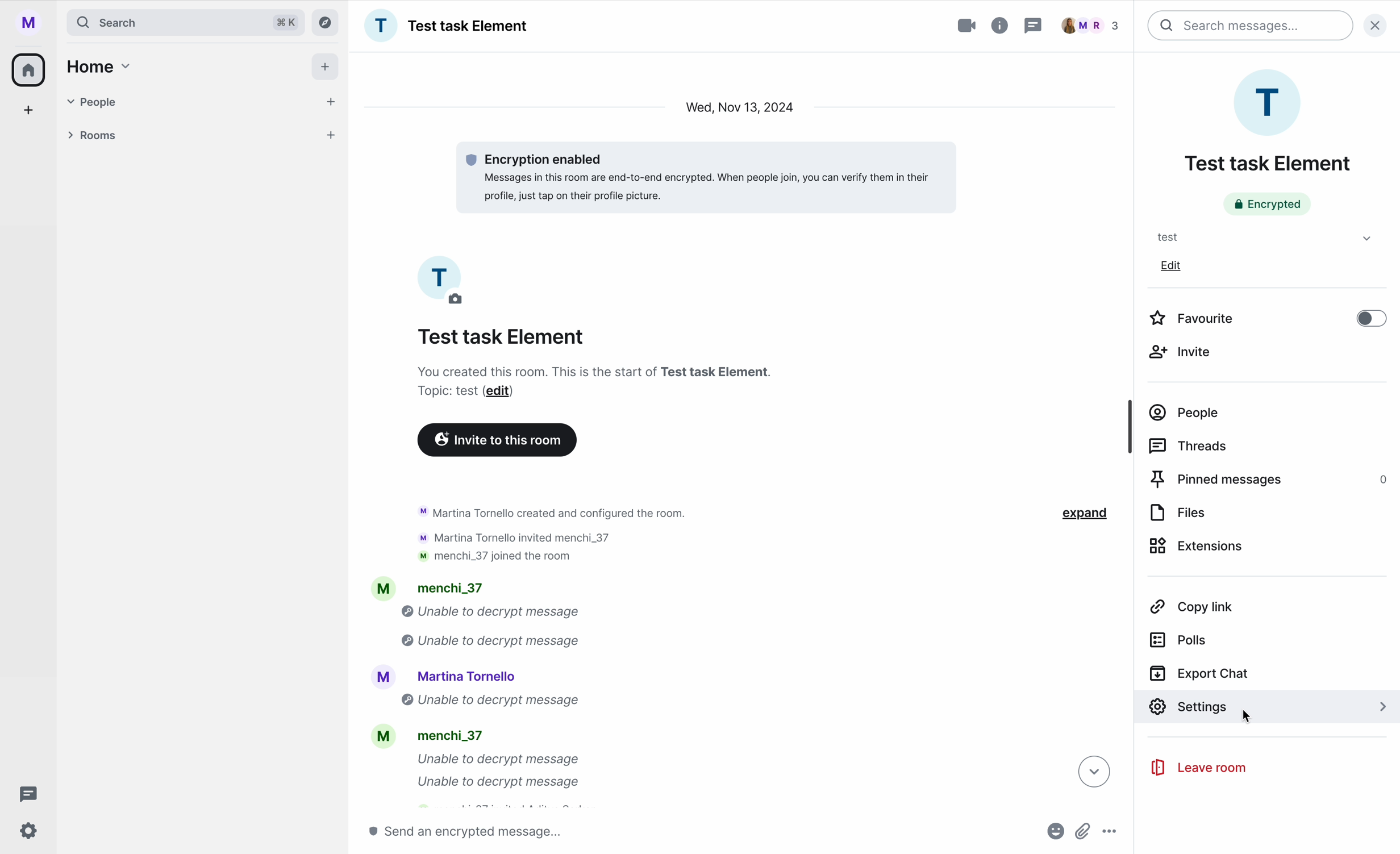 The image size is (1400, 854). What do you see at coordinates (1260, 237) in the screenshot?
I see `test tab` at bounding box center [1260, 237].